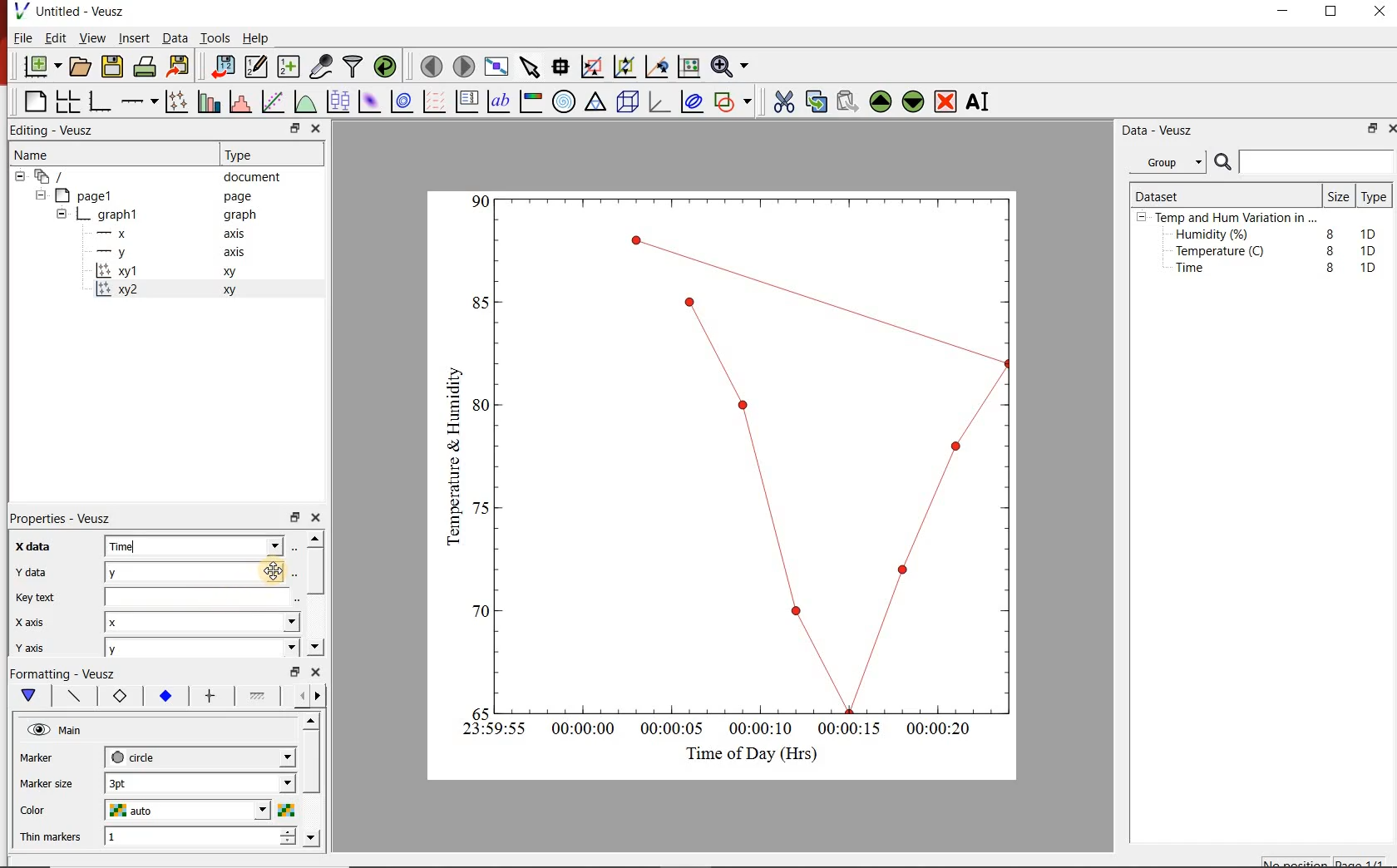  I want to click on 00:00:15, so click(850, 727).